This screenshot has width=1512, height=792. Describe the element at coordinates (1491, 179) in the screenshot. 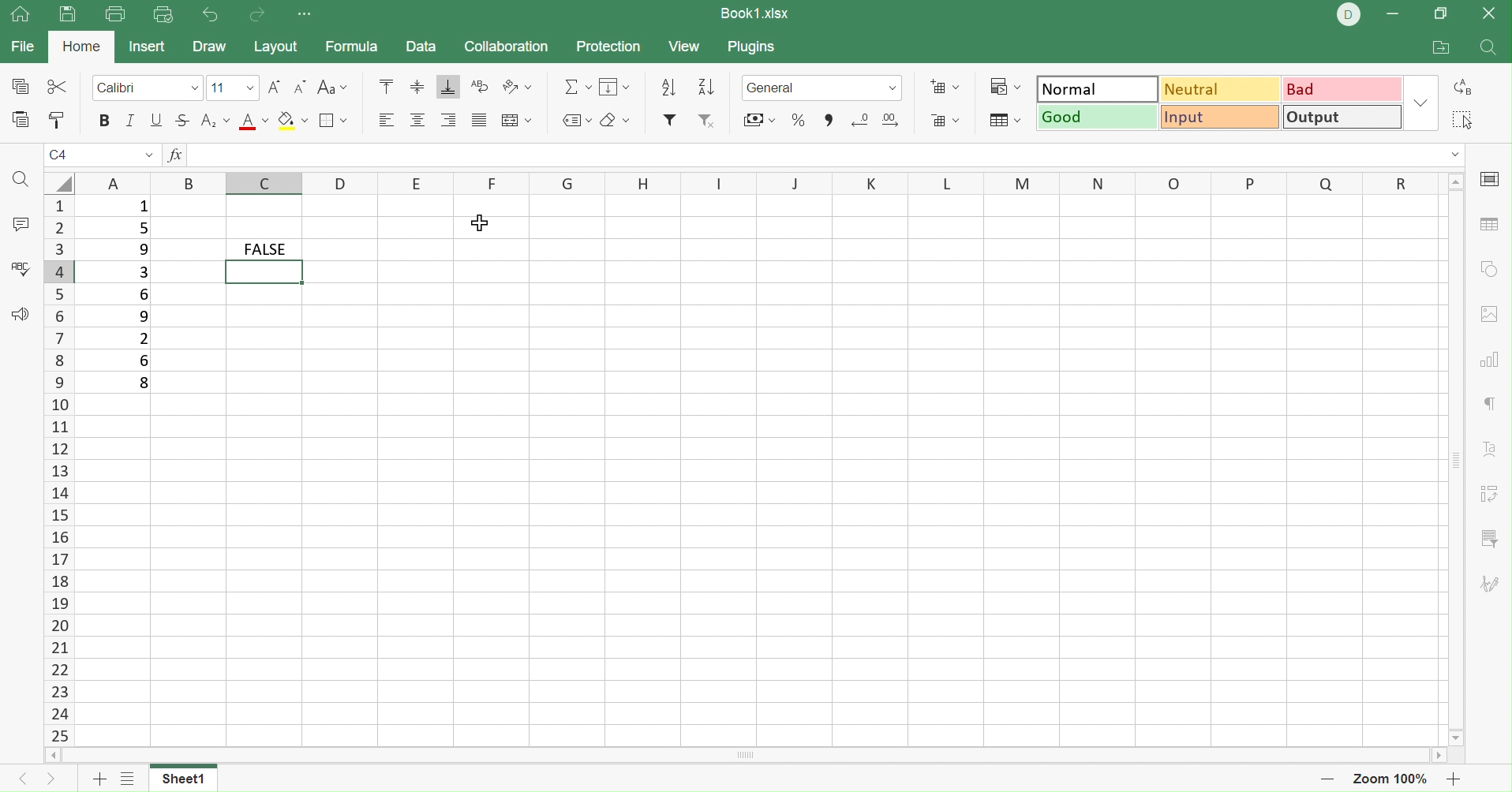

I see `Slide settings` at that location.